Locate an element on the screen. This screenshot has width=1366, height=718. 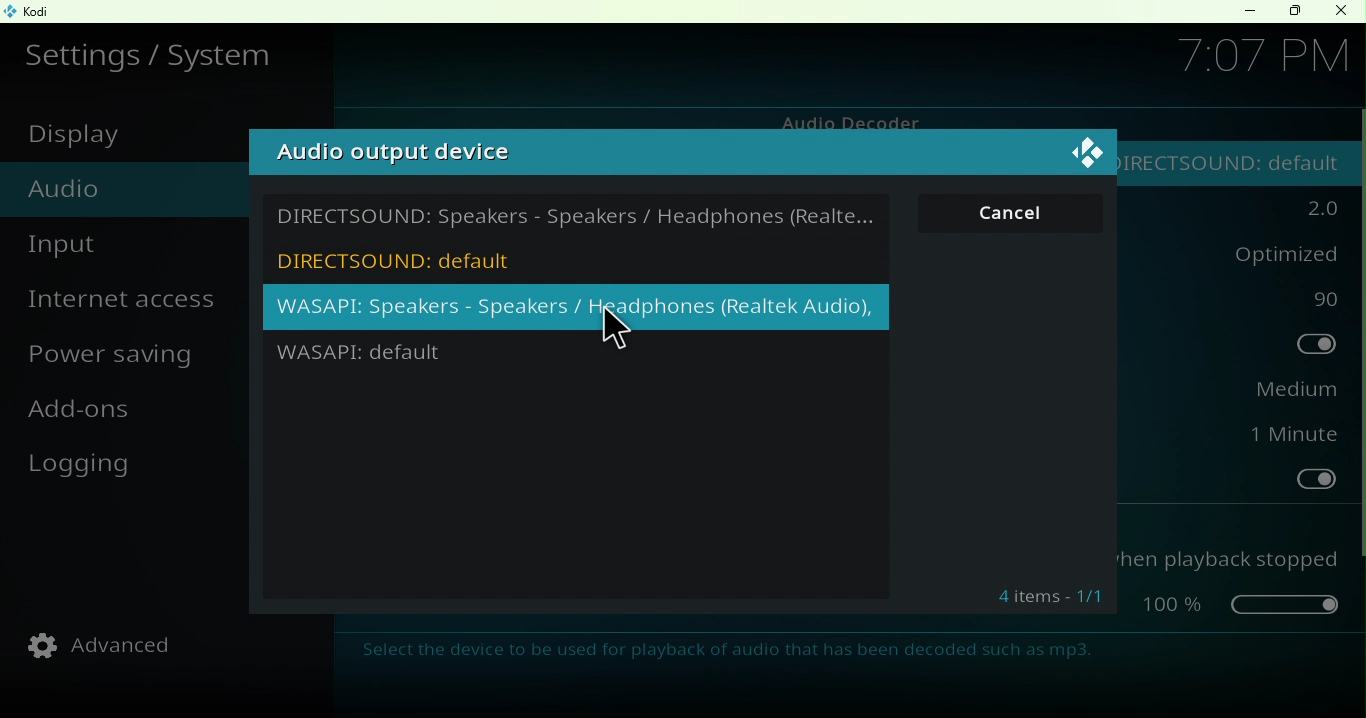
Audio is located at coordinates (114, 190).